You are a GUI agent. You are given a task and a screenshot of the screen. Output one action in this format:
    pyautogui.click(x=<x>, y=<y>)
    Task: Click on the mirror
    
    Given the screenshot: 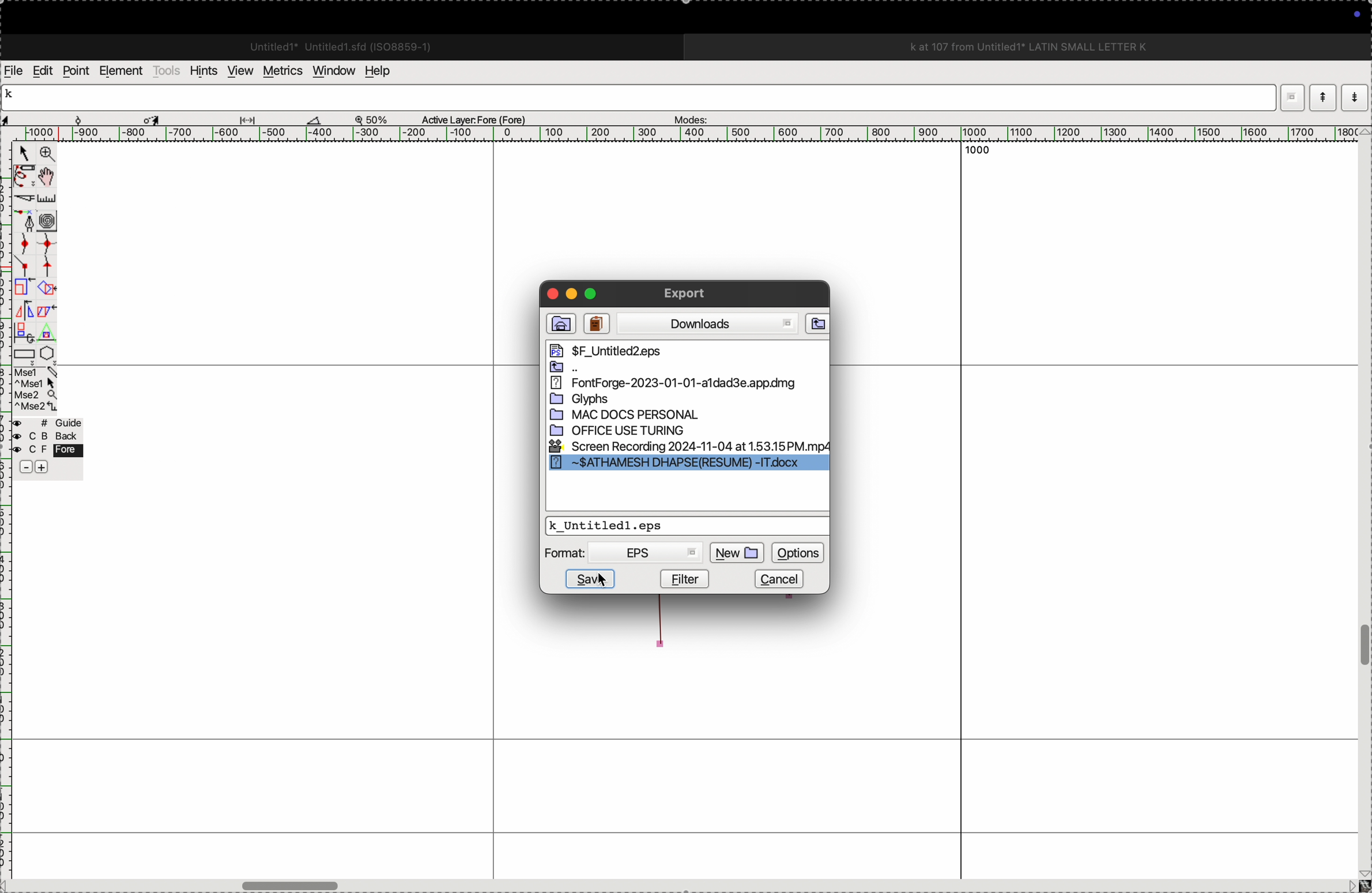 What is the action you would take?
    pyautogui.click(x=24, y=320)
    